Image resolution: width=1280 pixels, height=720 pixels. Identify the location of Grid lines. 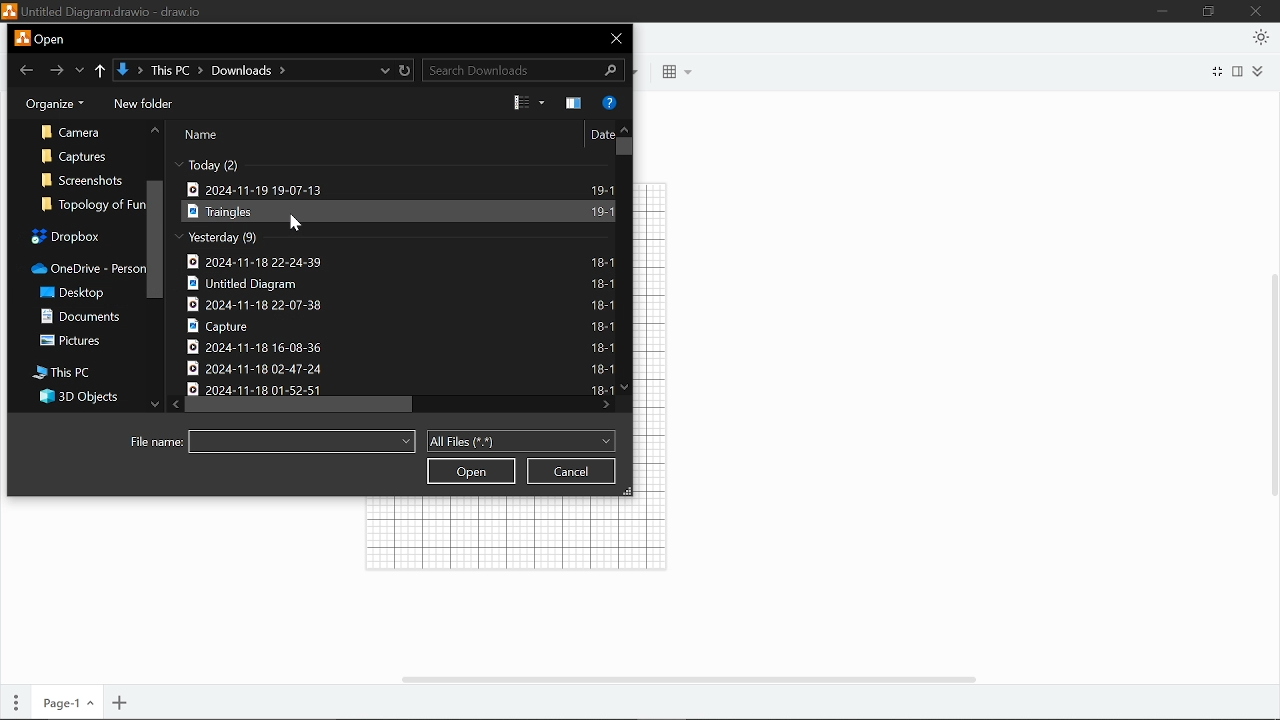
(500, 536).